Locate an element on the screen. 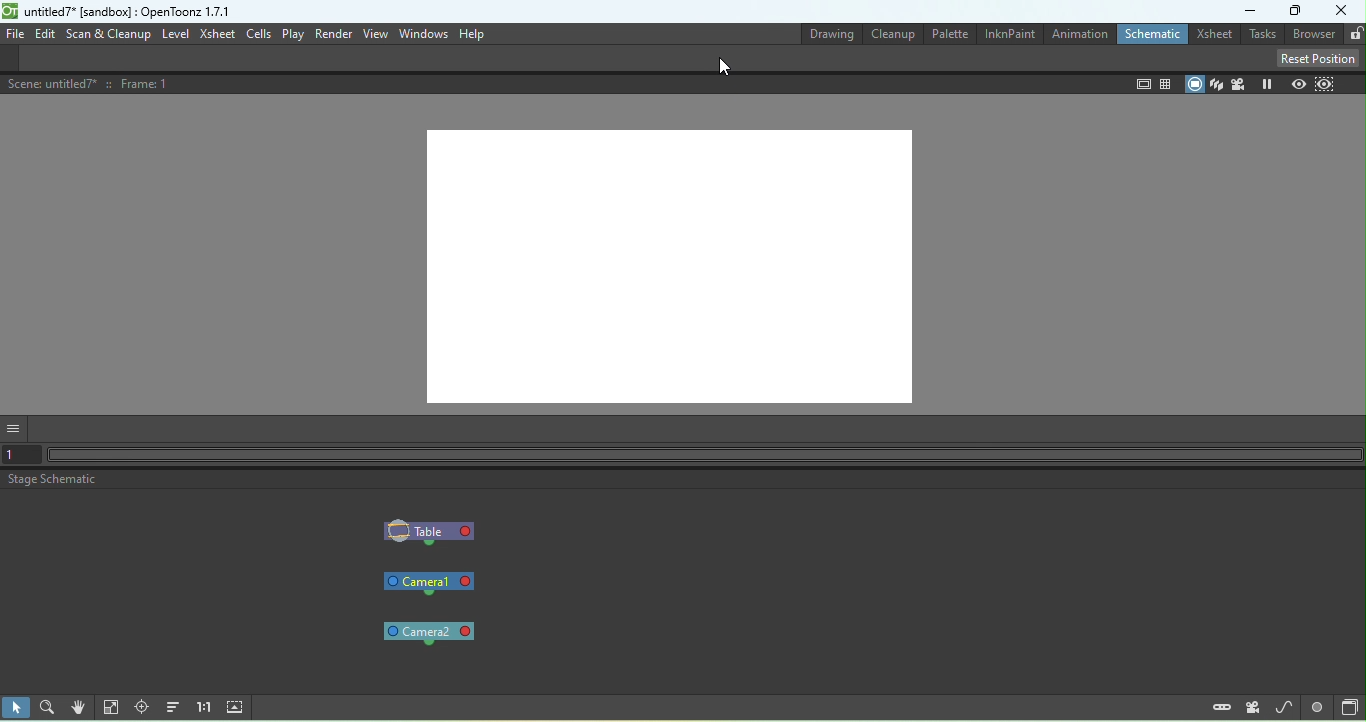 The height and width of the screenshot is (722, 1366). Scan & Cleanup is located at coordinates (111, 35).